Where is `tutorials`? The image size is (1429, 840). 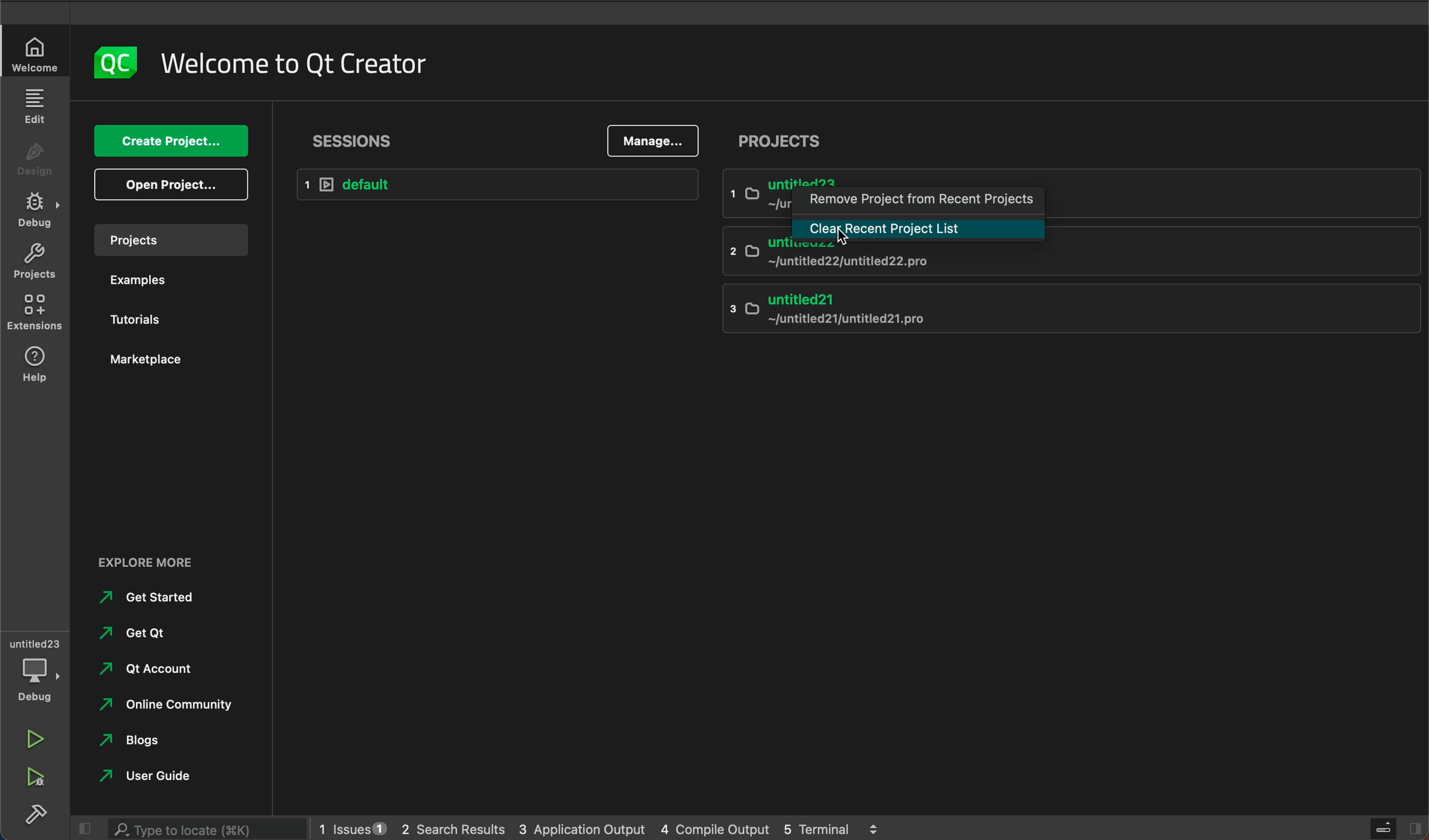
tutorials is located at coordinates (141, 322).